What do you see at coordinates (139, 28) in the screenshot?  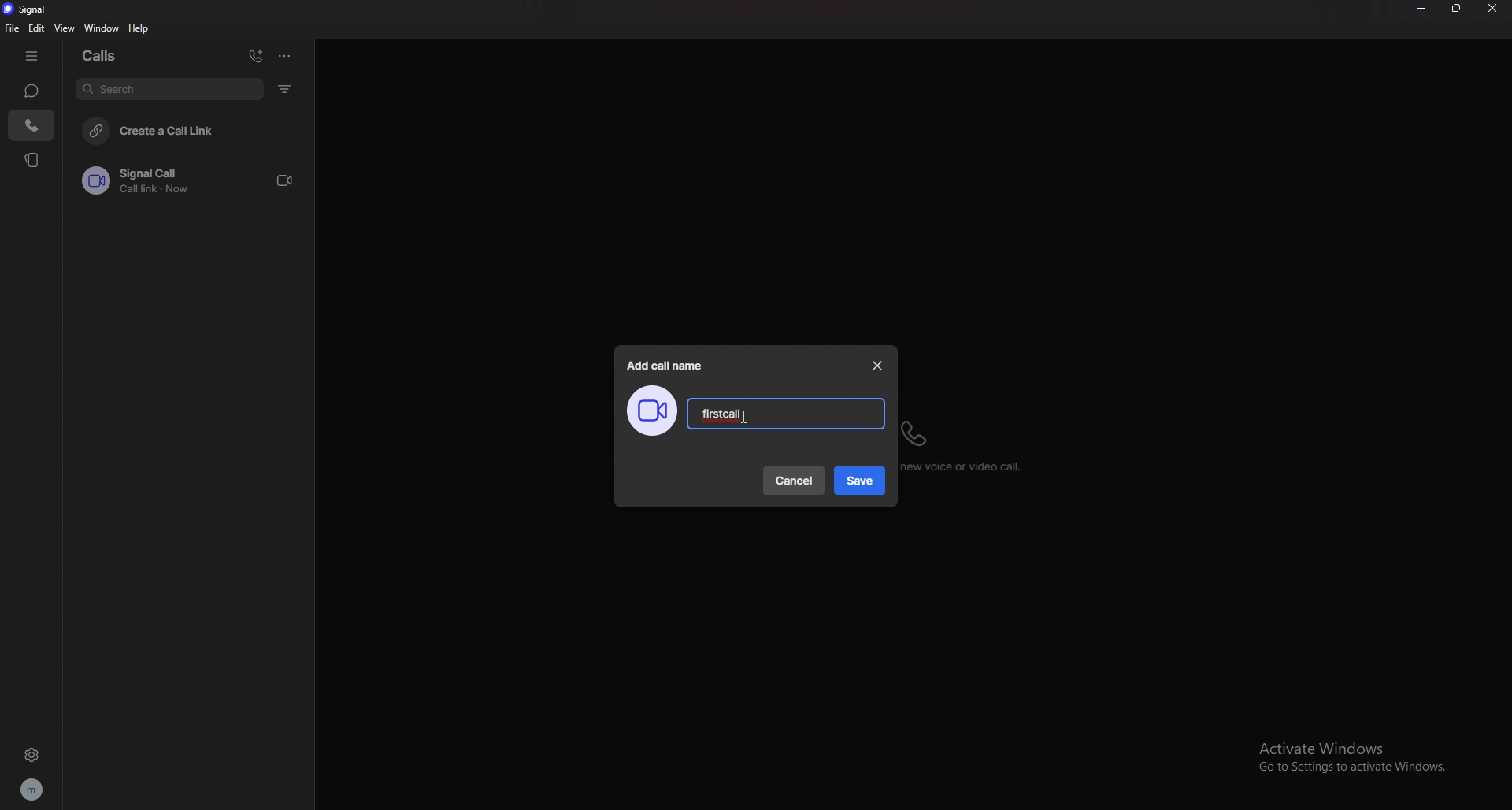 I see `help` at bounding box center [139, 28].